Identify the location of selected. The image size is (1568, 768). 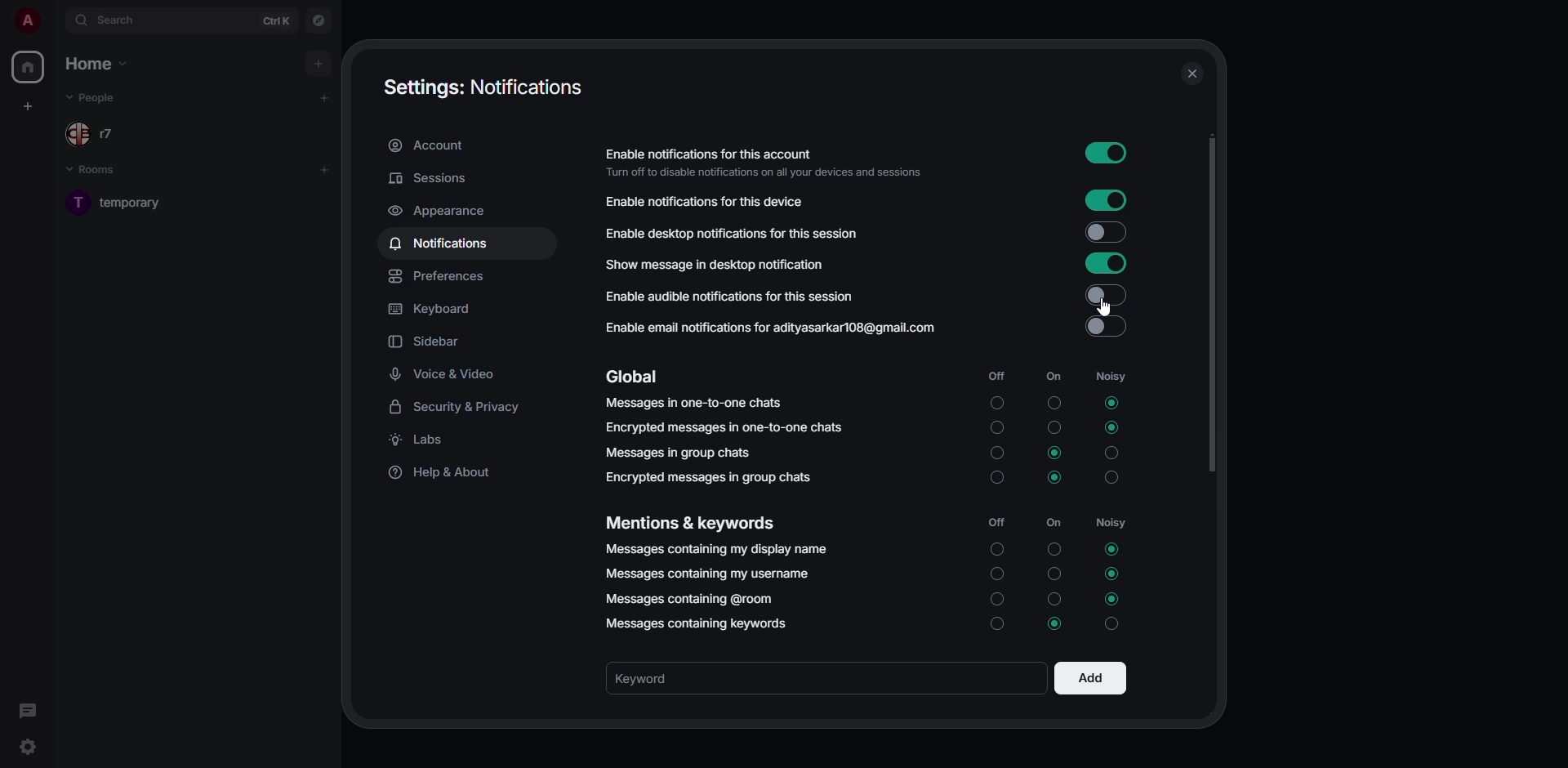
(1113, 574).